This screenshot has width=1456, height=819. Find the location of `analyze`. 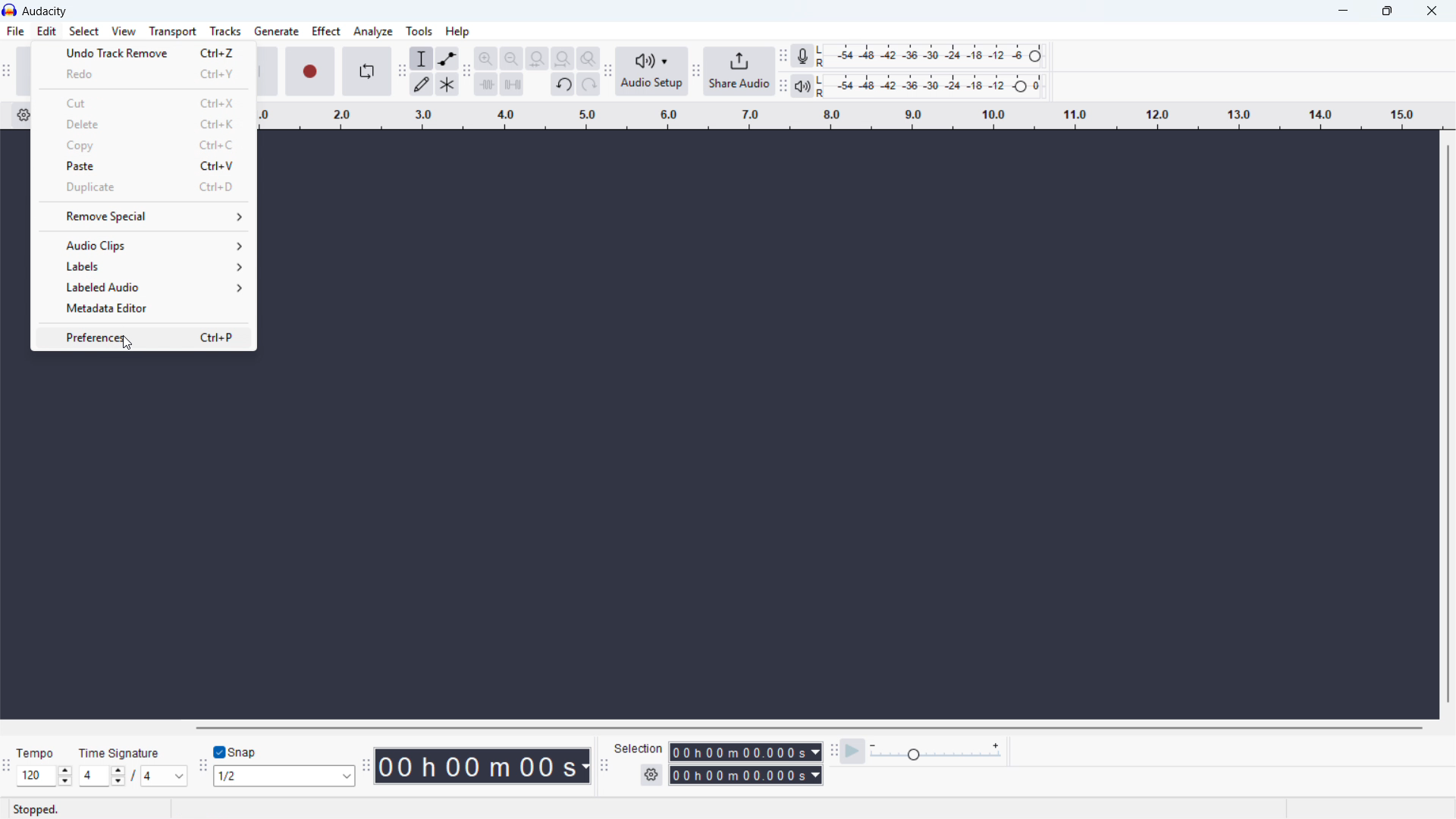

analyze is located at coordinates (374, 31).